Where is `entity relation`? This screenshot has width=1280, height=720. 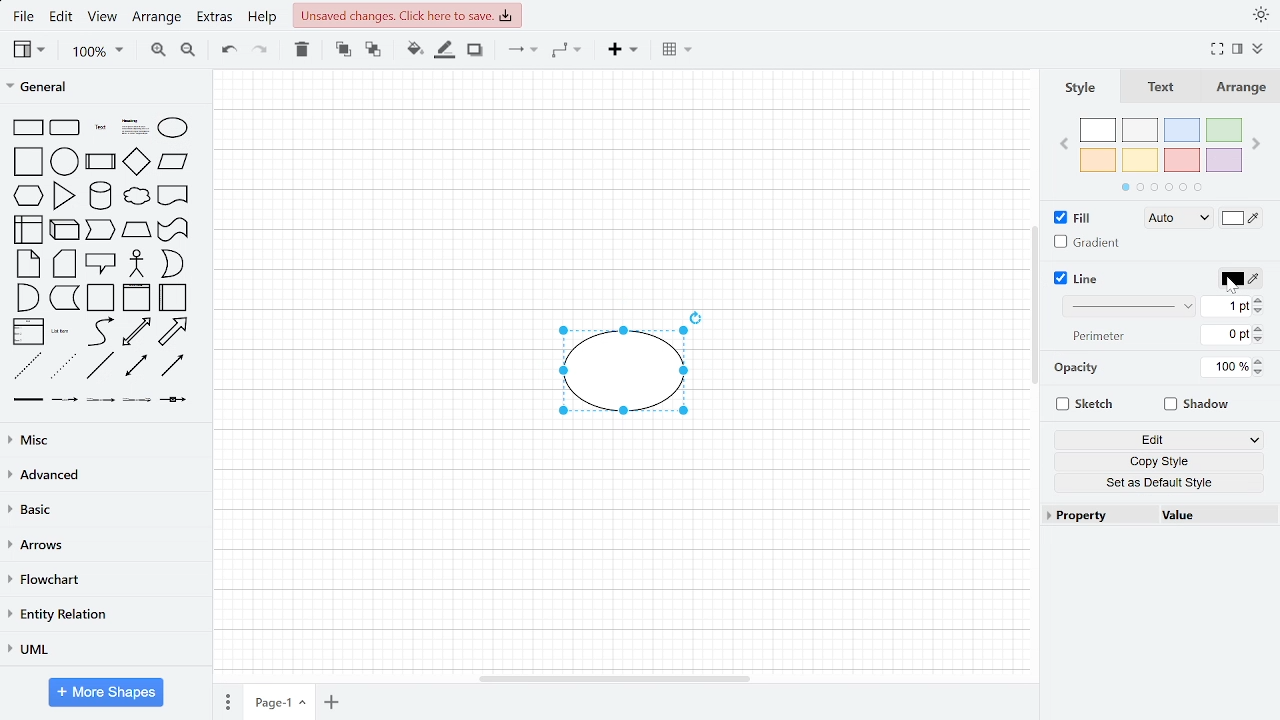
entity relation is located at coordinates (99, 616).